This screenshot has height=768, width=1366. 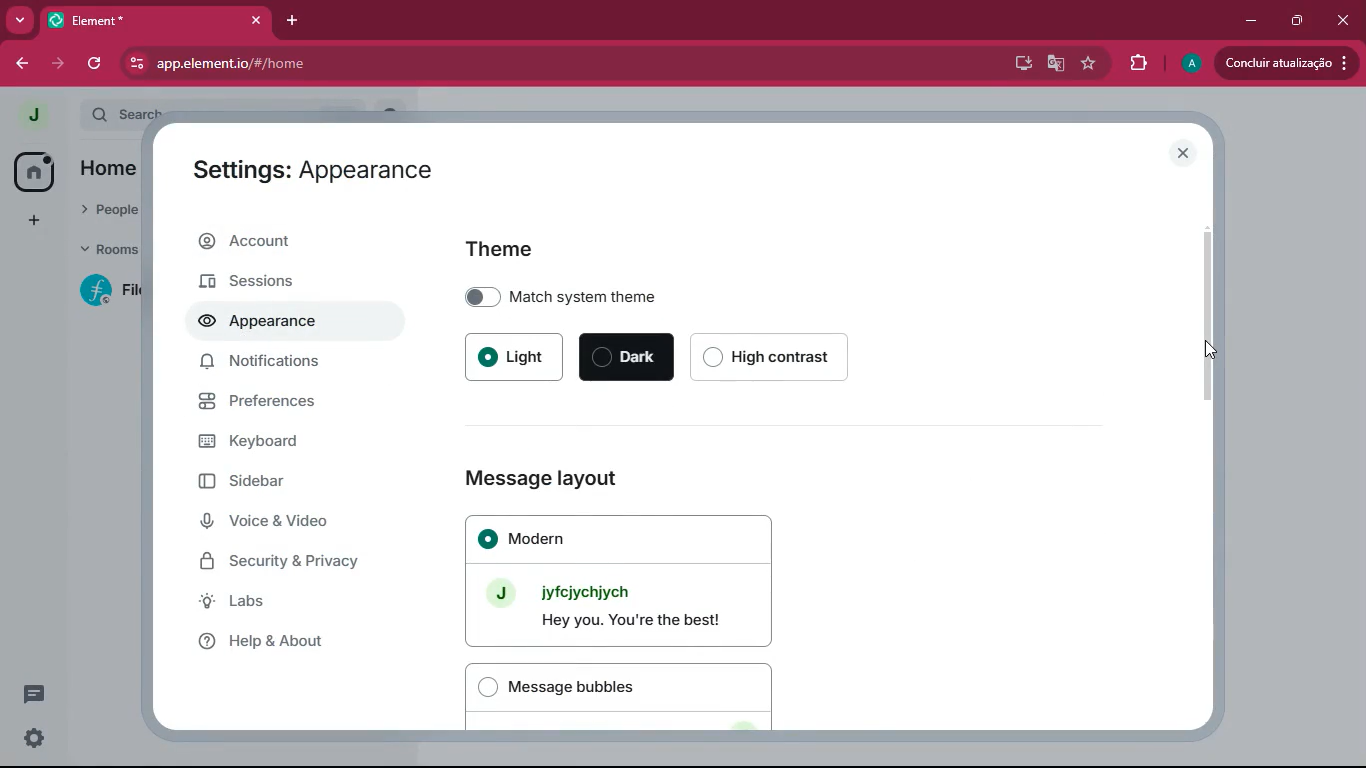 I want to click on Element*, so click(x=140, y=19).